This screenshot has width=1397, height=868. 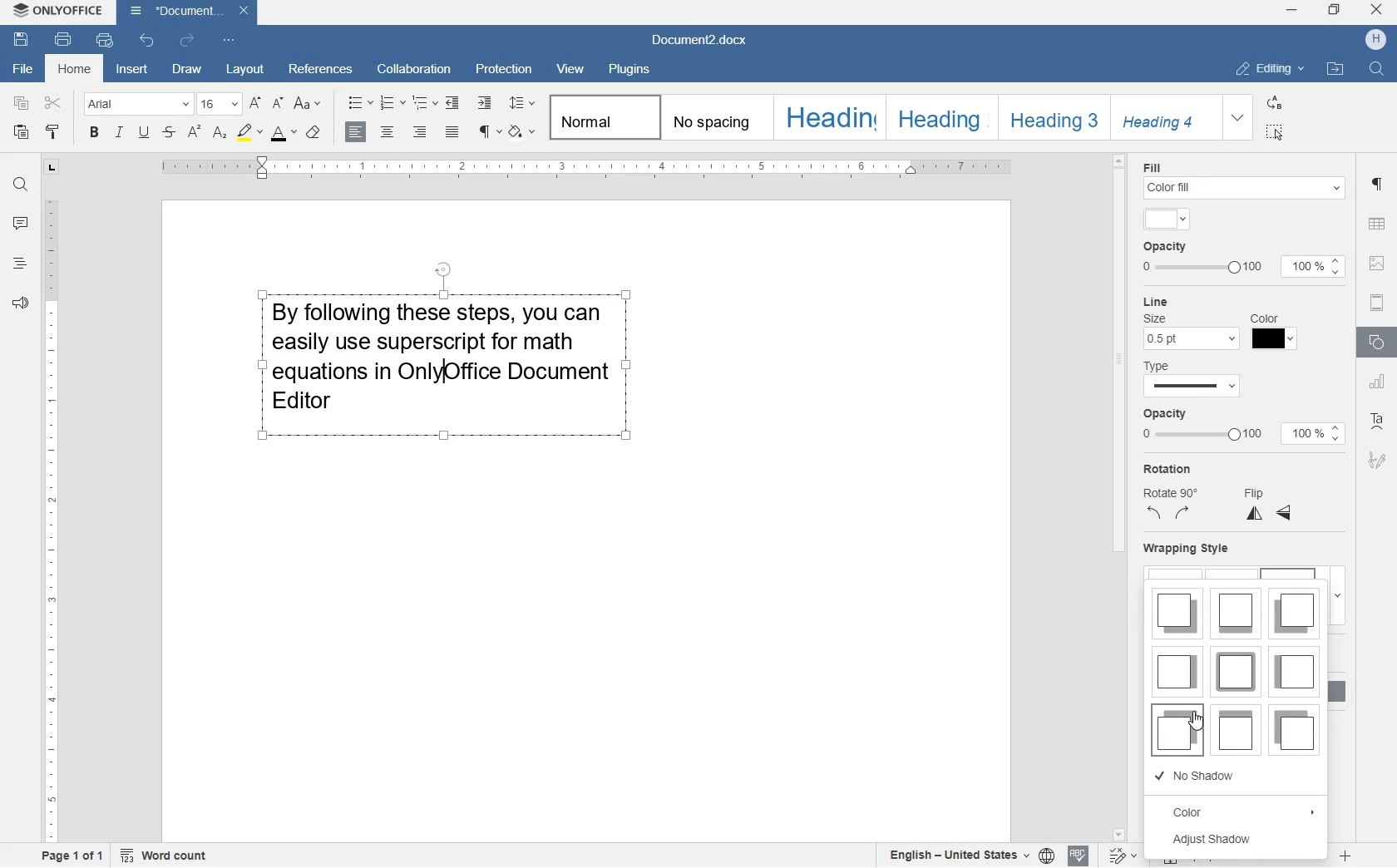 What do you see at coordinates (1274, 132) in the screenshot?
I see `SELECT ALL` at bounding box center [1274, 132].